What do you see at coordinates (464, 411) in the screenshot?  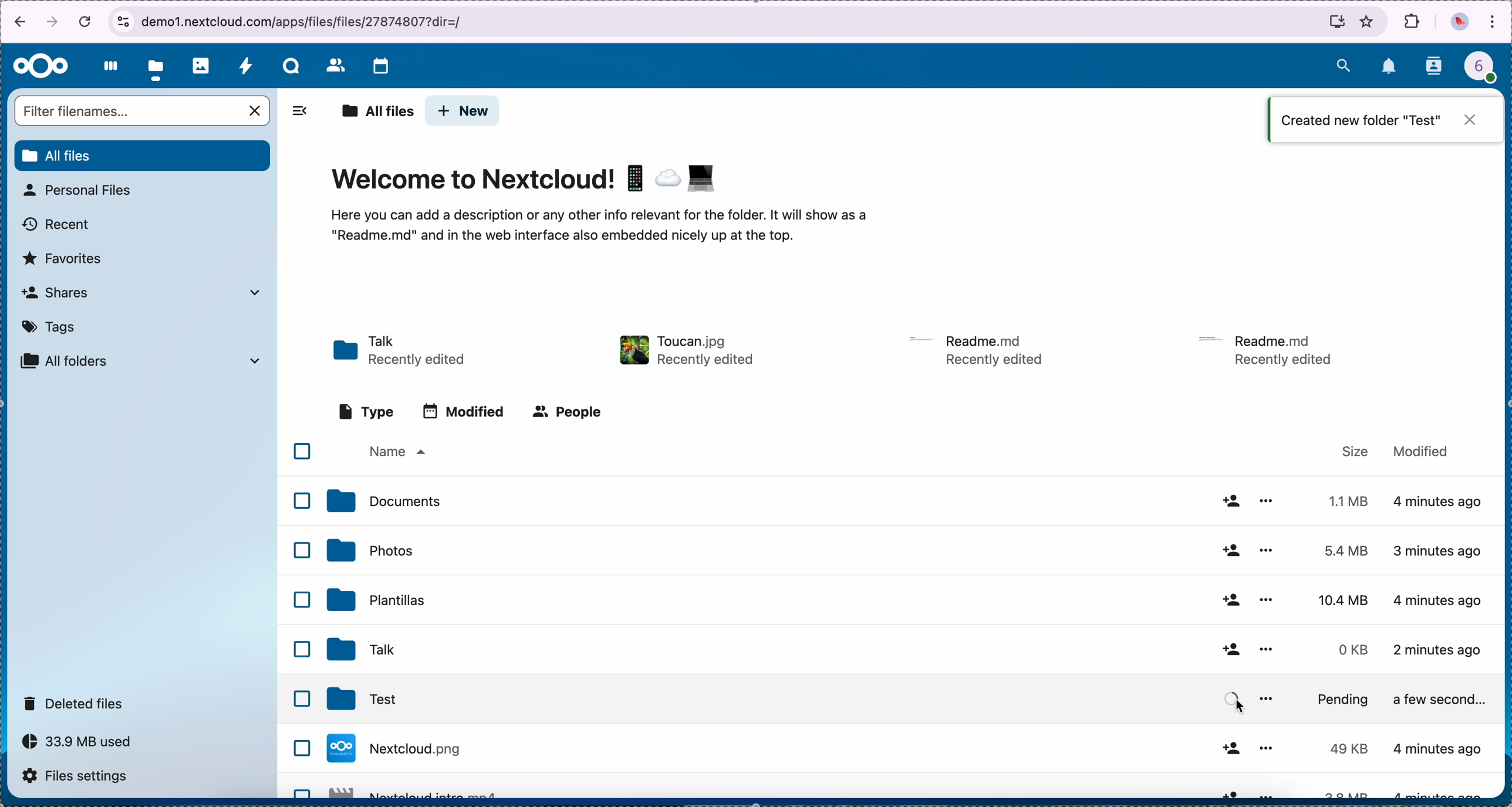 I see `modified` at bounding box center [464, 411].